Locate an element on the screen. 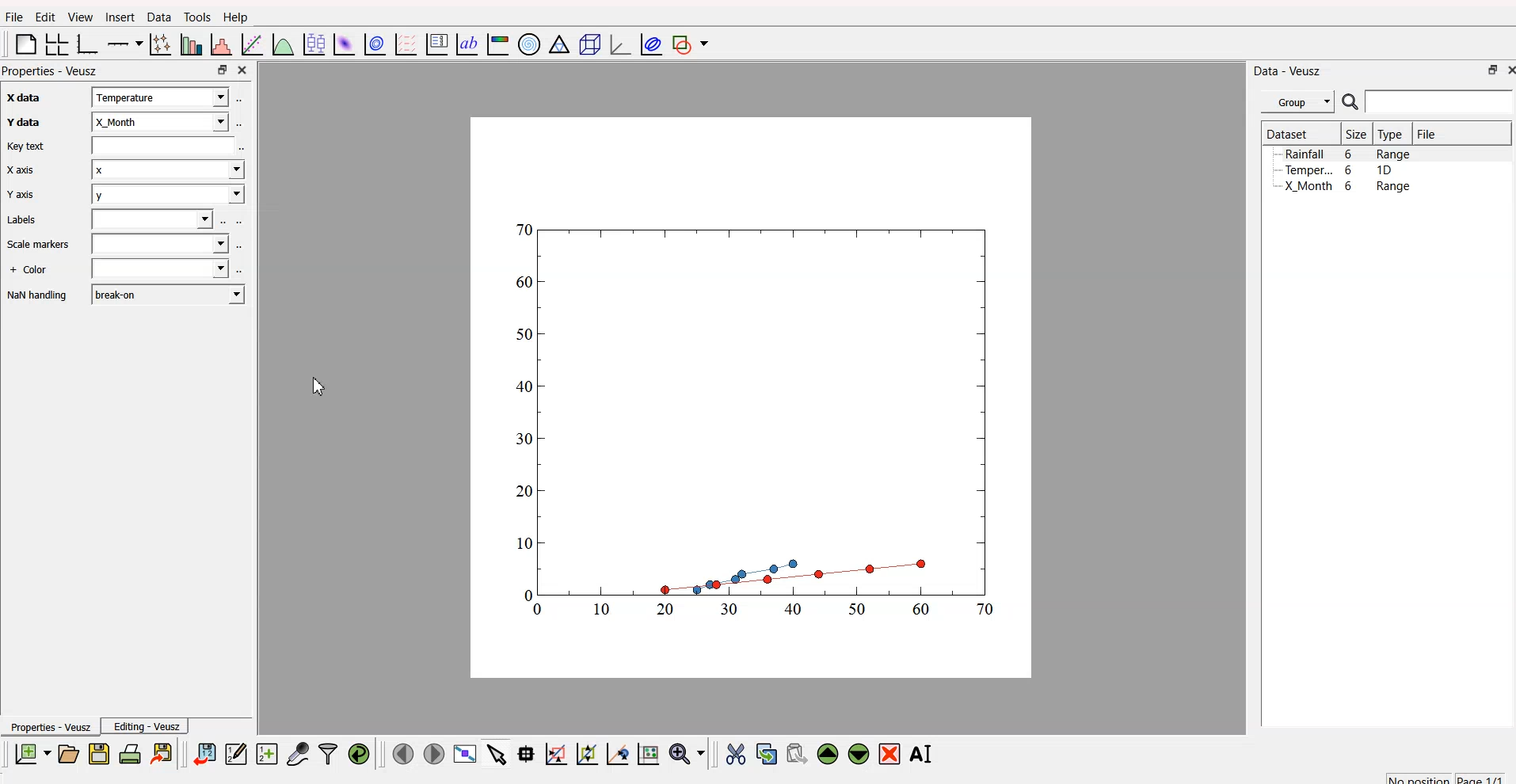  base graph is located at coordinates (88, 44).